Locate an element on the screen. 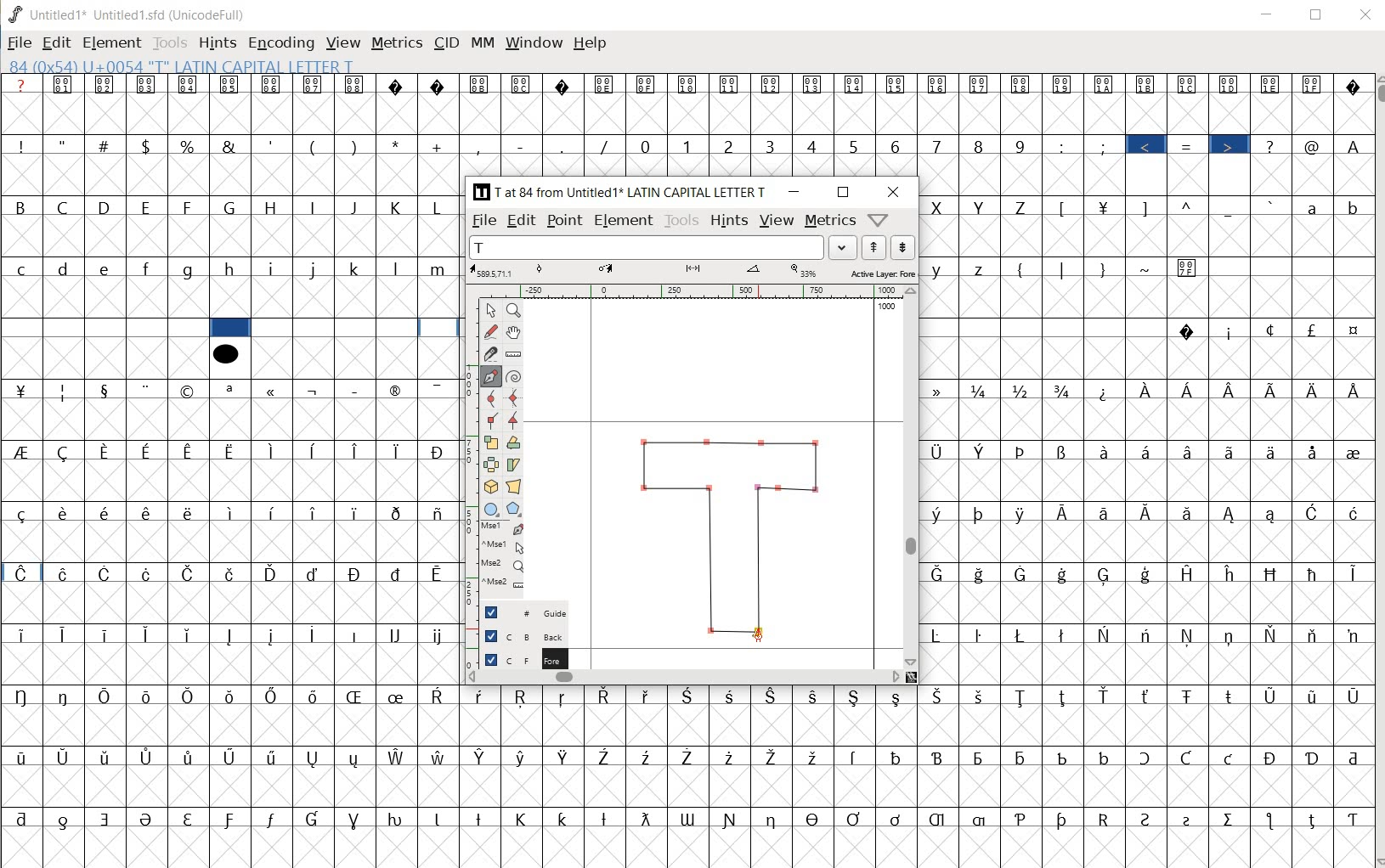 The height and width of the screenshot is (868, 1385). Symbol is located at coordinates (316, 633).